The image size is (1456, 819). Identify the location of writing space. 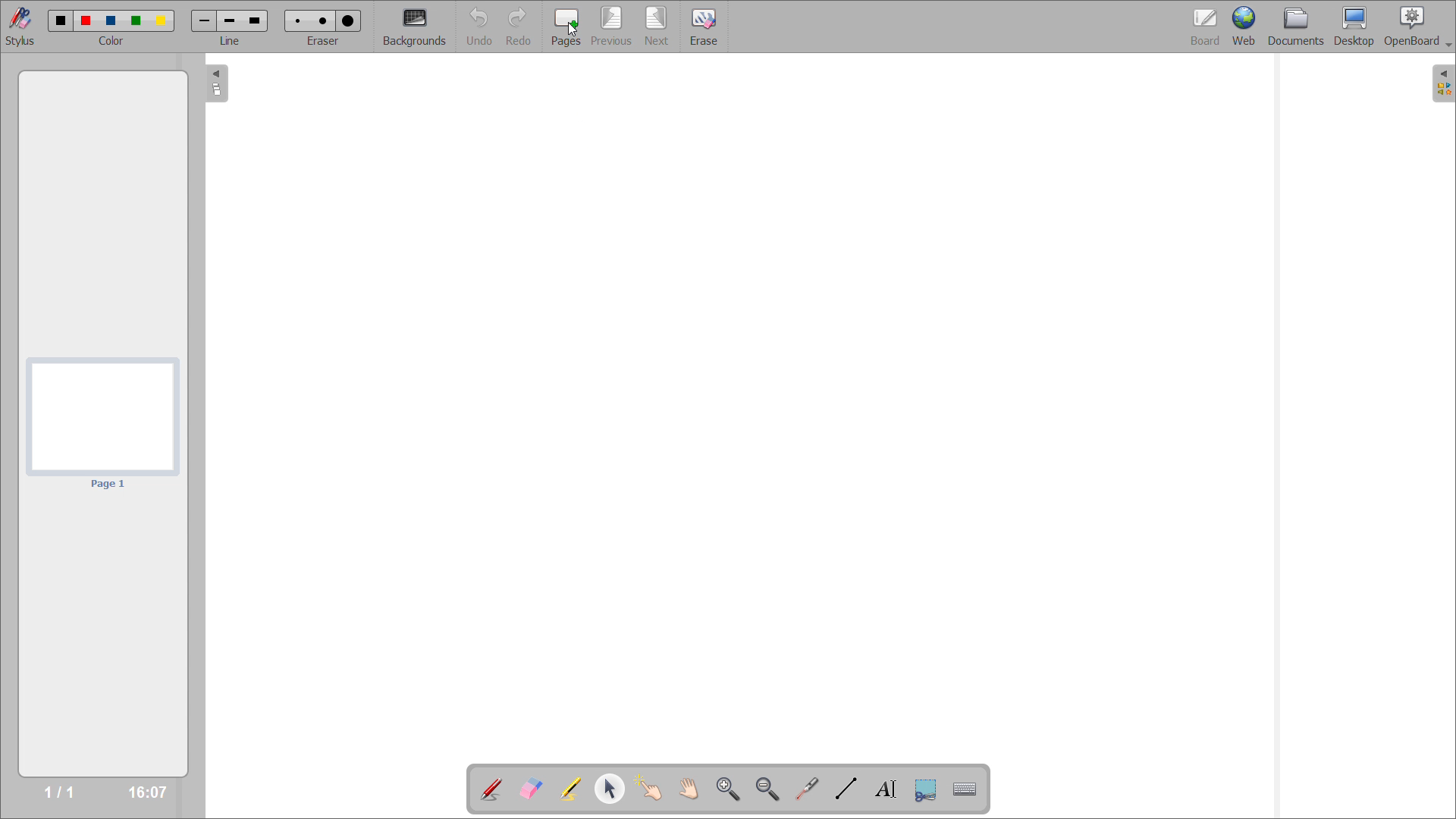
(760, 410).